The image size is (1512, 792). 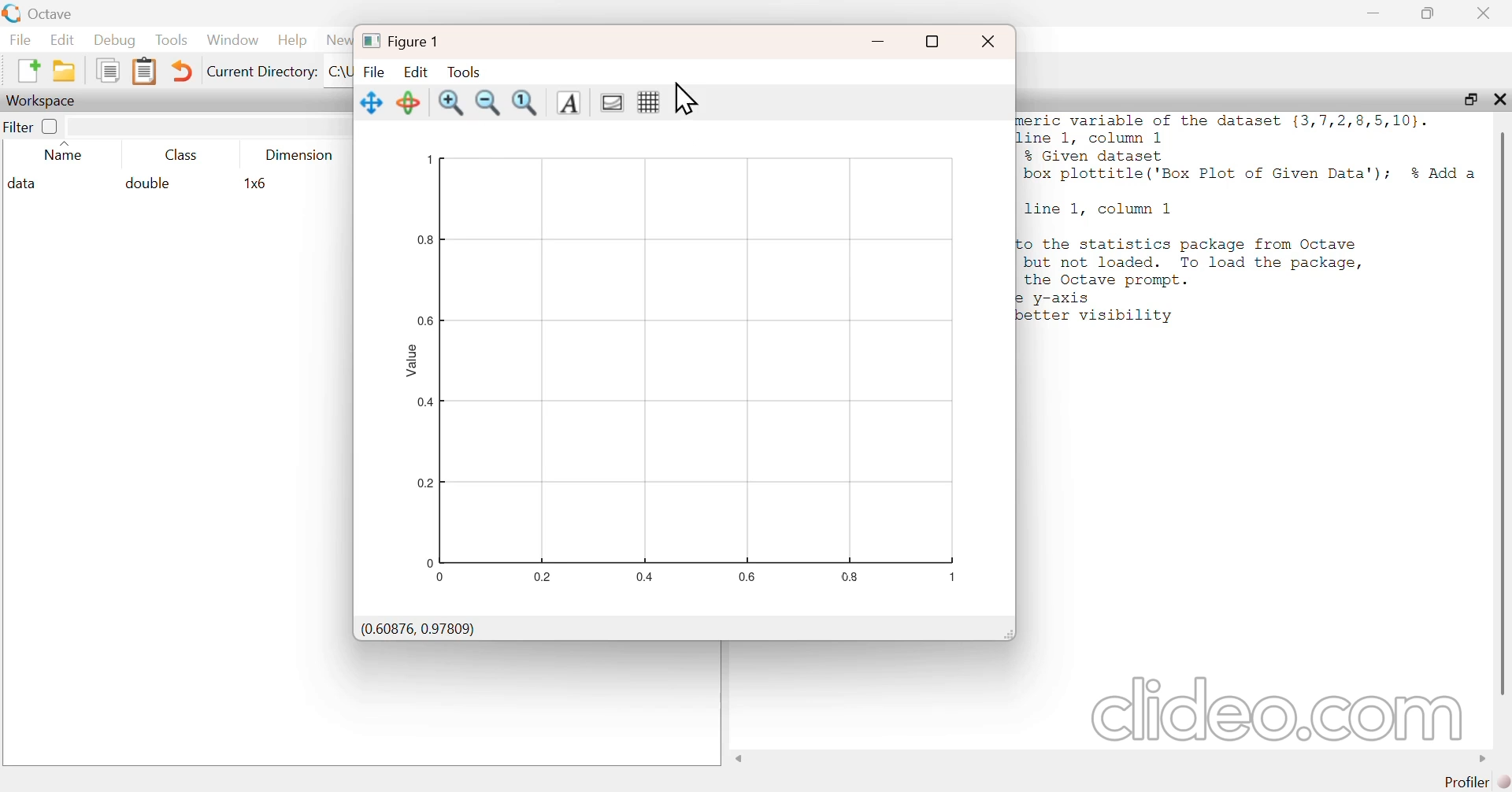 I want to click on news, so click(x=339, y=41).